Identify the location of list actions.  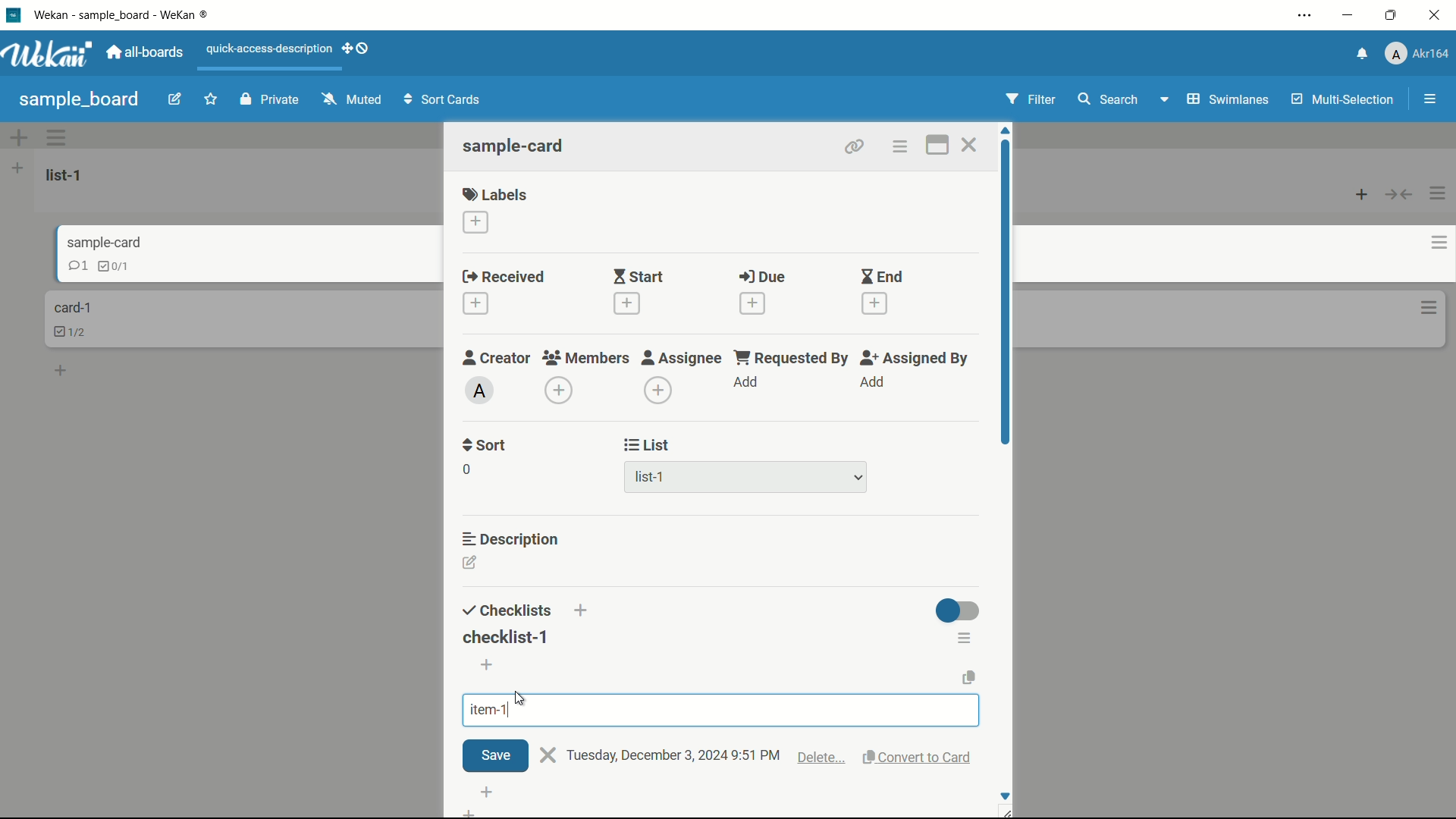
(1439, 193).